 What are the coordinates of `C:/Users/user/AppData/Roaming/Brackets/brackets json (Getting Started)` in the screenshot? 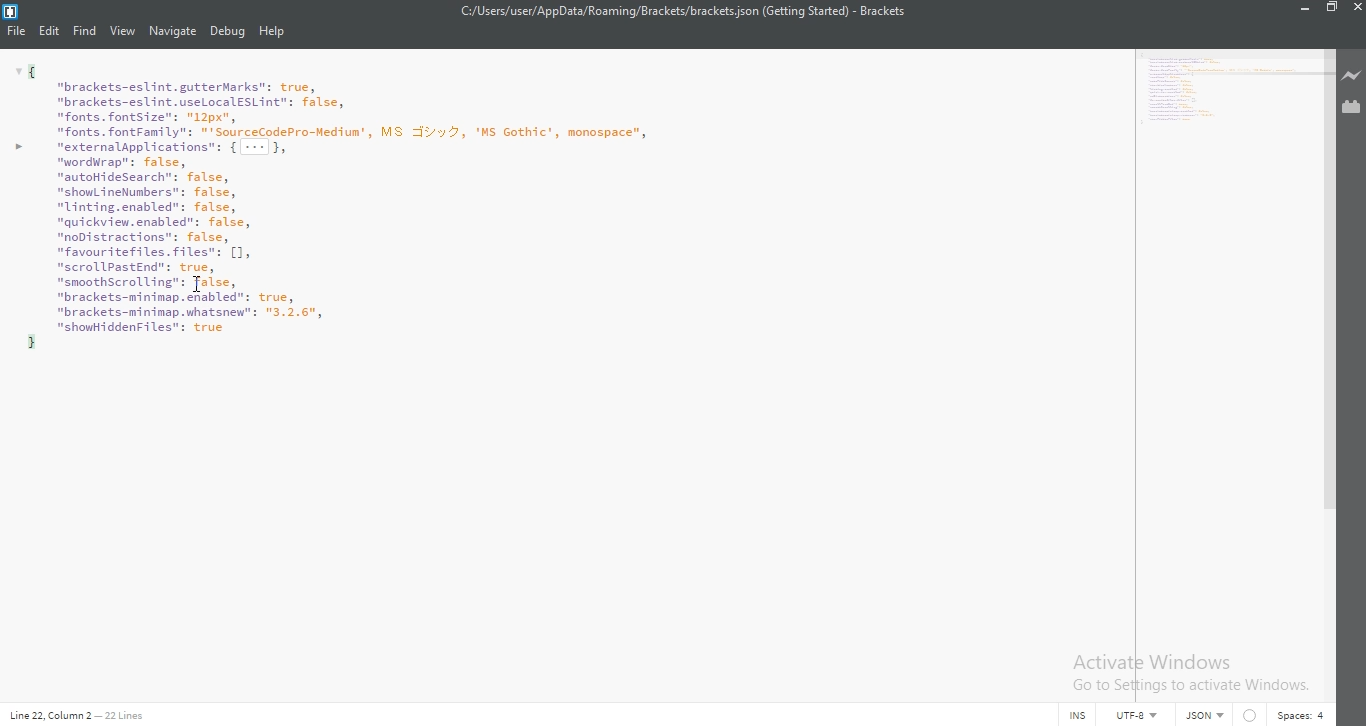 It's located at (643, 13).